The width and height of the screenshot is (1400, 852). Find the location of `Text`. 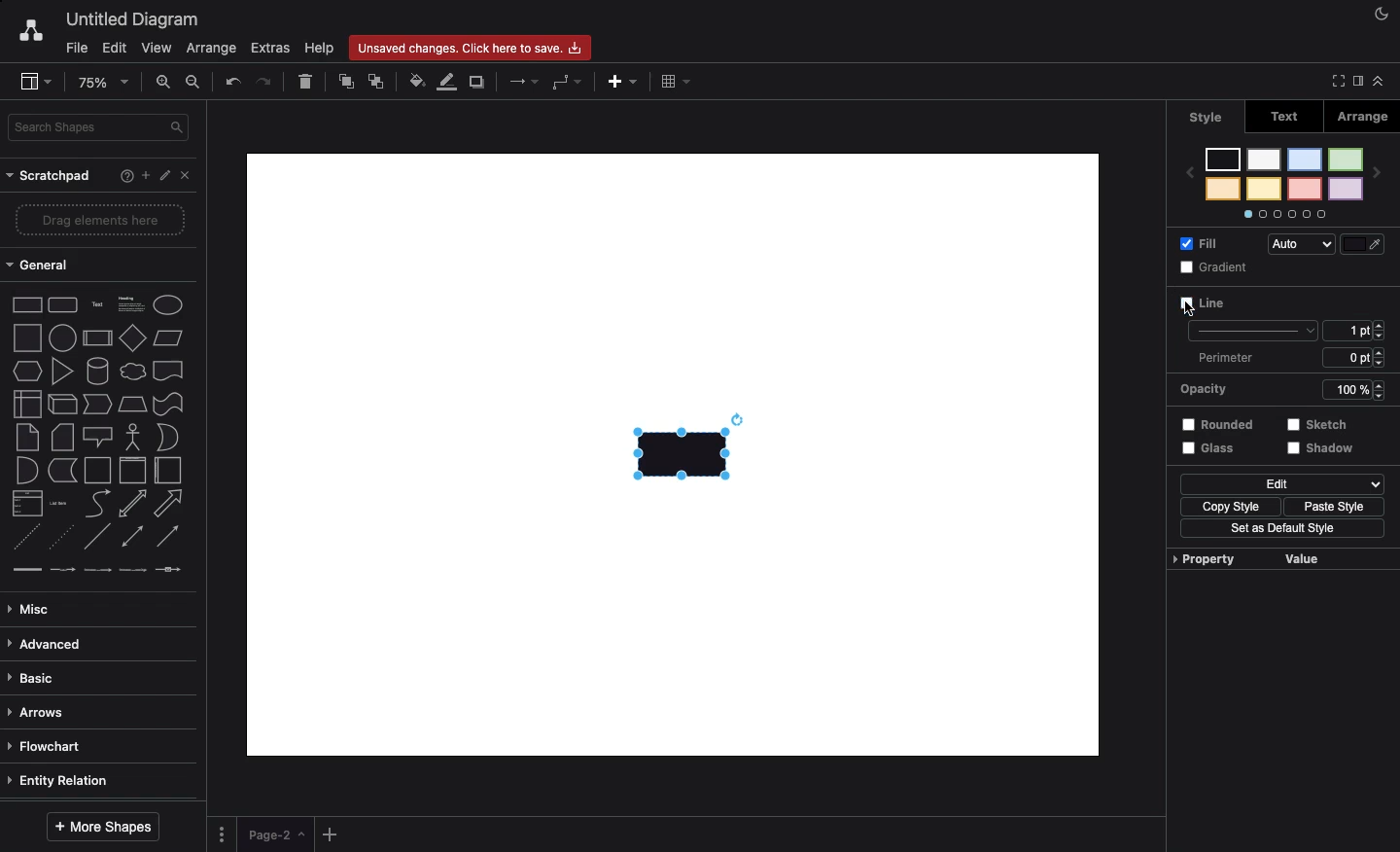

Text is located at coordinates (1280, 117).